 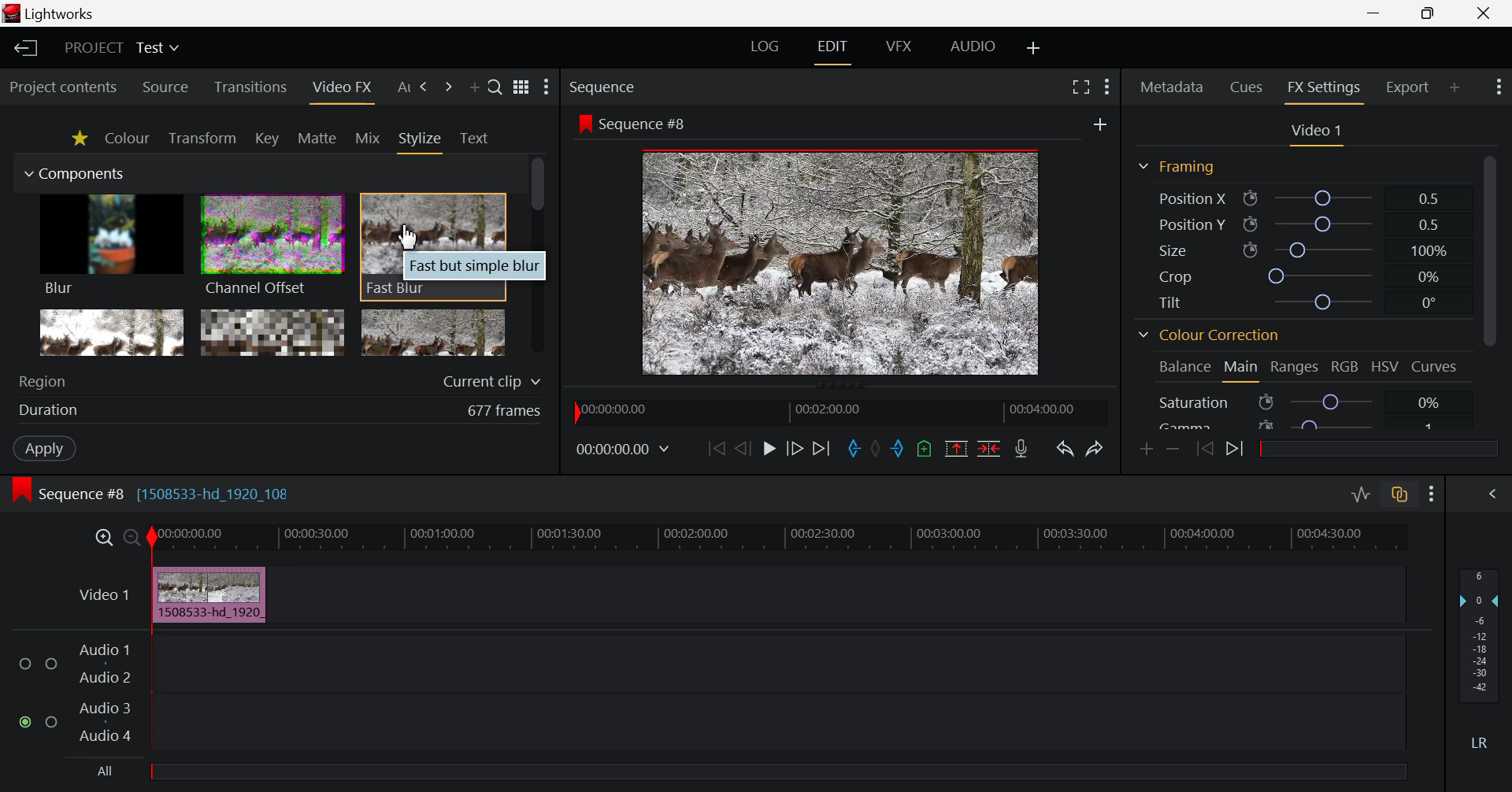 I want to click on Show Settings, so click(x=1432, y=494).